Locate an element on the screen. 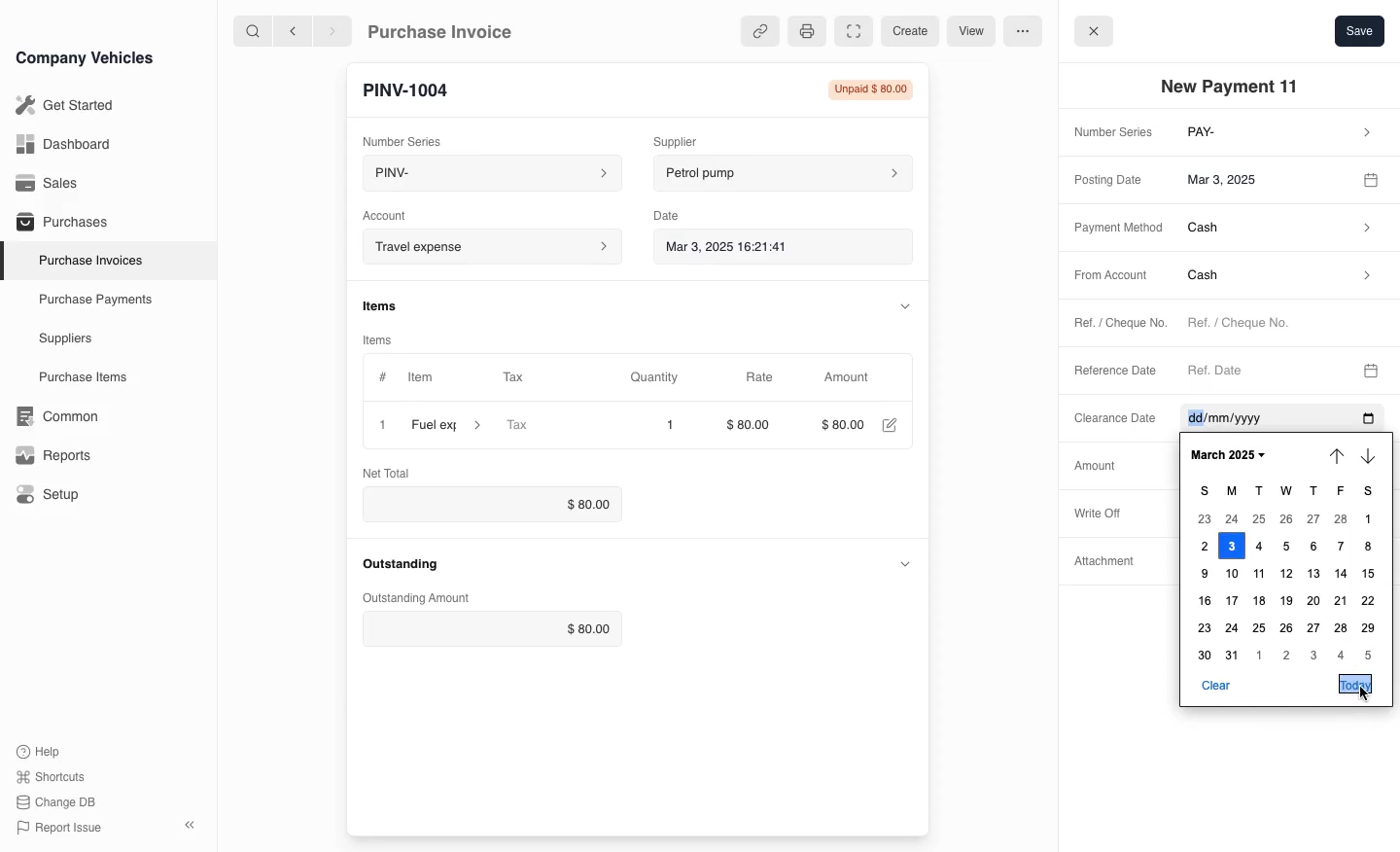 The height and width of the screenshot is (852, 1400). Reports is located at coordinates (53, 455).